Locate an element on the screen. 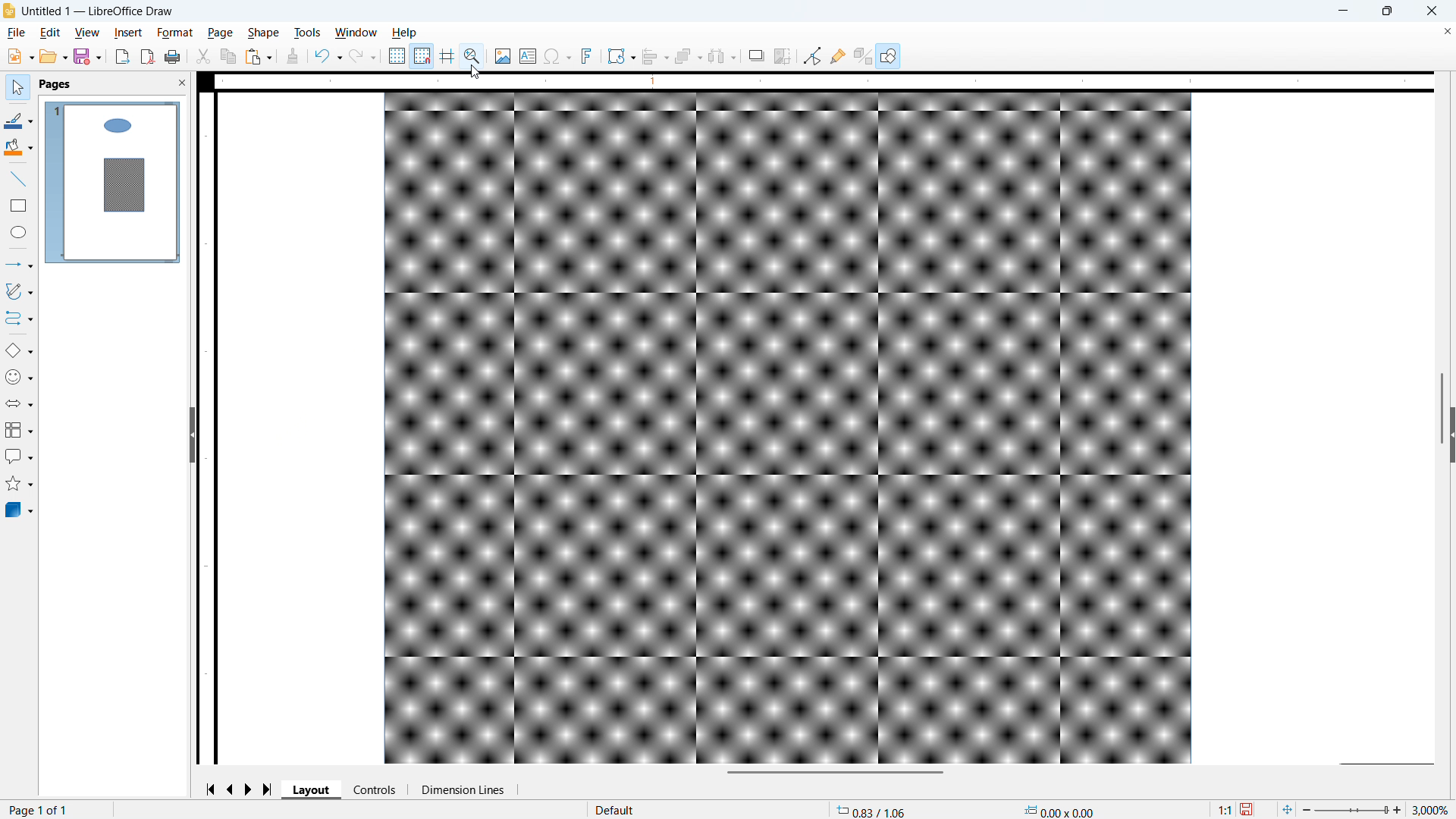 This screenshot has width=1456, height=819. Symbol shapes  is located at coordinates (20, 378).